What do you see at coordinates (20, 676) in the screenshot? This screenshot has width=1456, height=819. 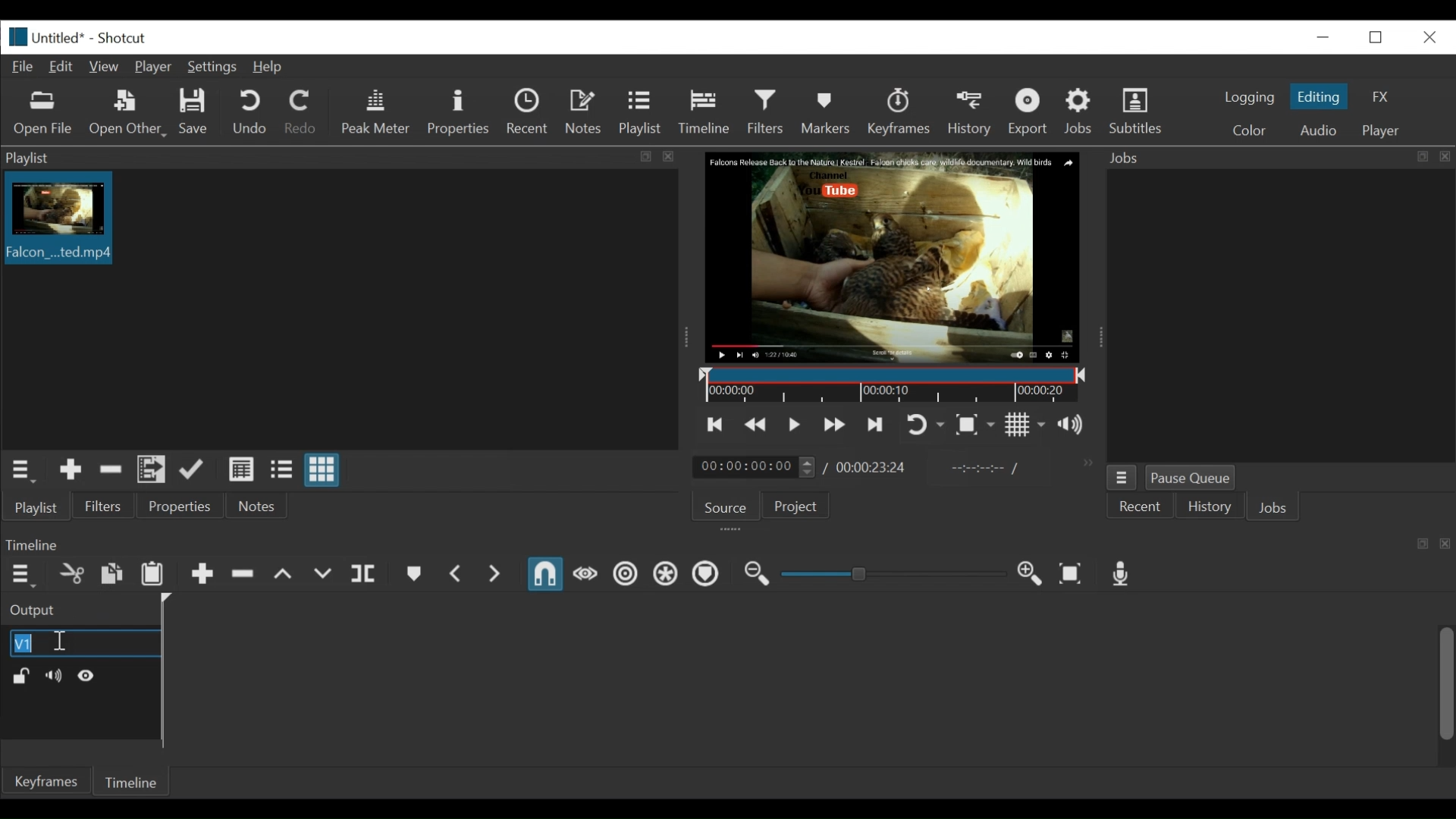 I see `(un)lock track` at bounding box center [20, 676].